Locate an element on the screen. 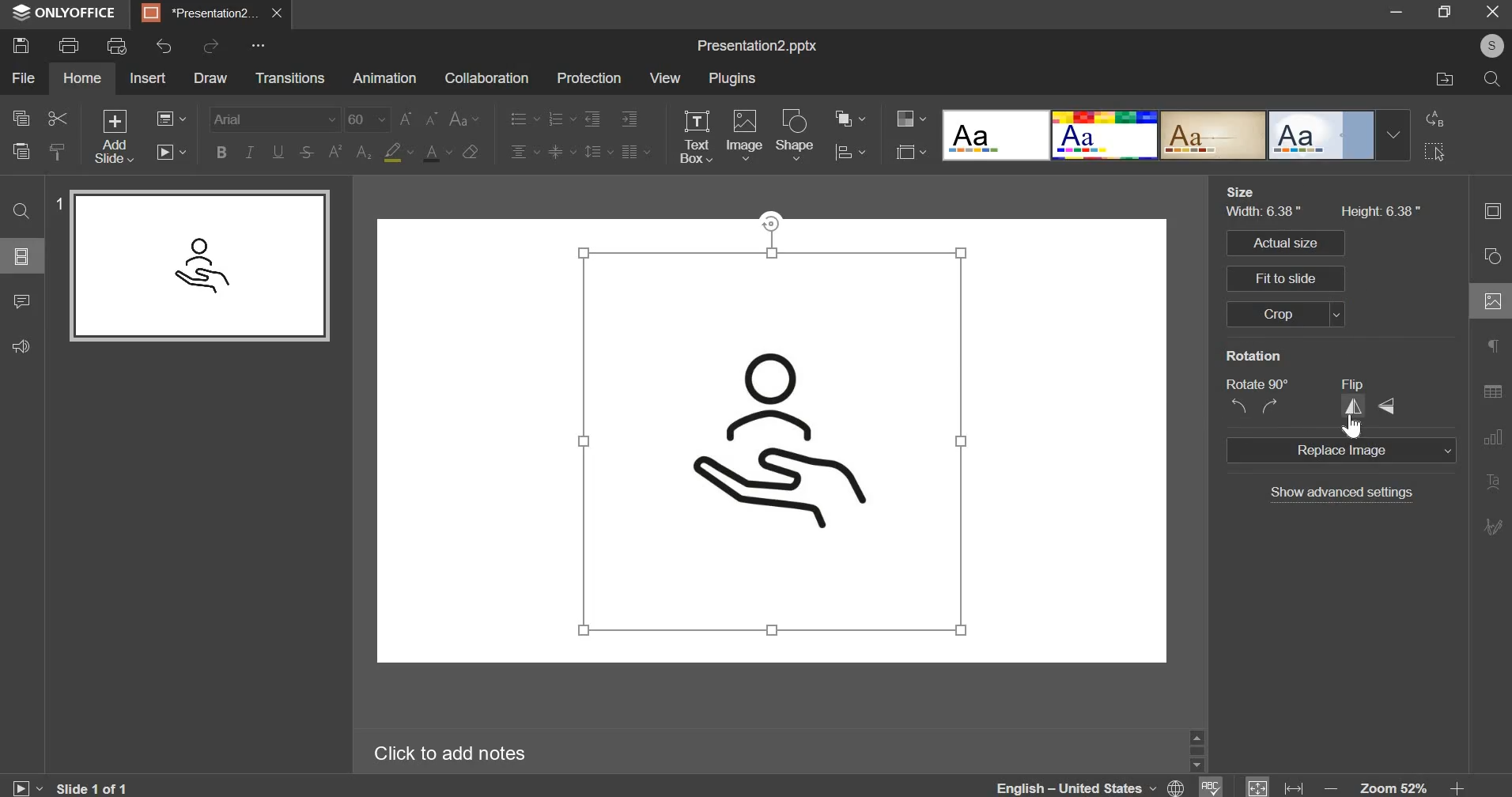  file location is located at coordinates (1443, 81).